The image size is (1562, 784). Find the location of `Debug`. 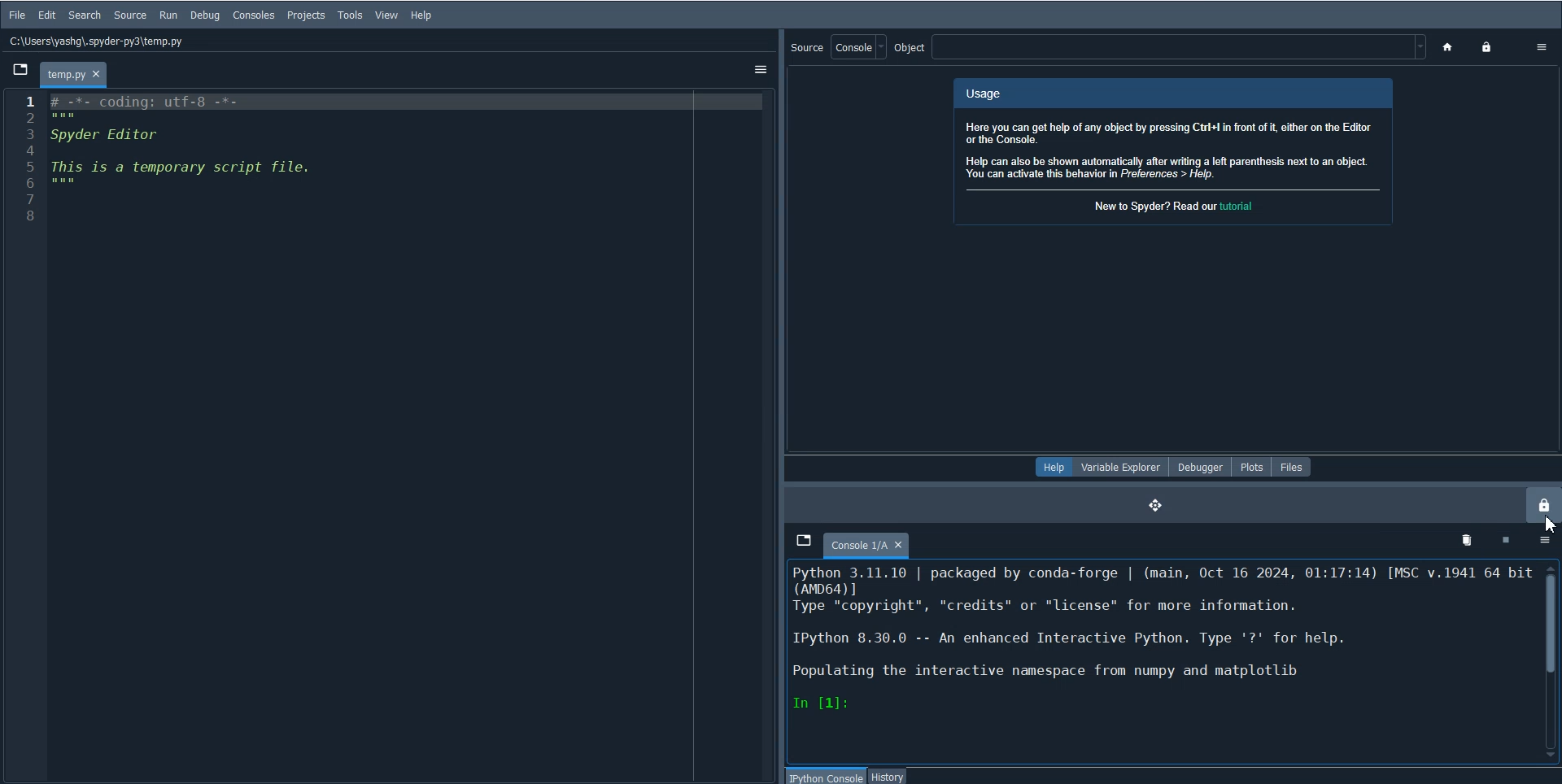

Debug is located at coordinates (205, 15).